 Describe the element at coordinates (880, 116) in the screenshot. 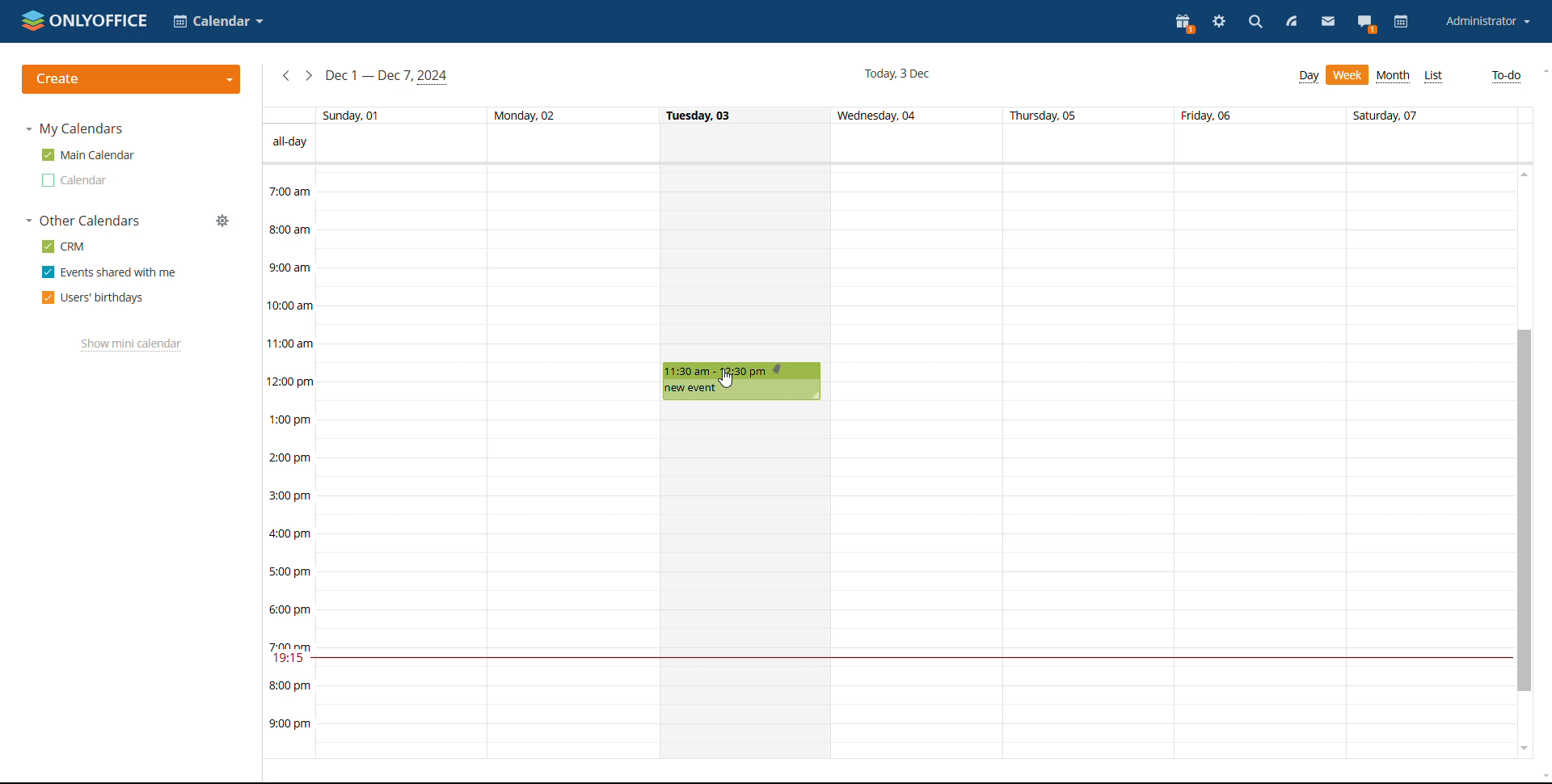

I see `Wednesday, 04` at that location.